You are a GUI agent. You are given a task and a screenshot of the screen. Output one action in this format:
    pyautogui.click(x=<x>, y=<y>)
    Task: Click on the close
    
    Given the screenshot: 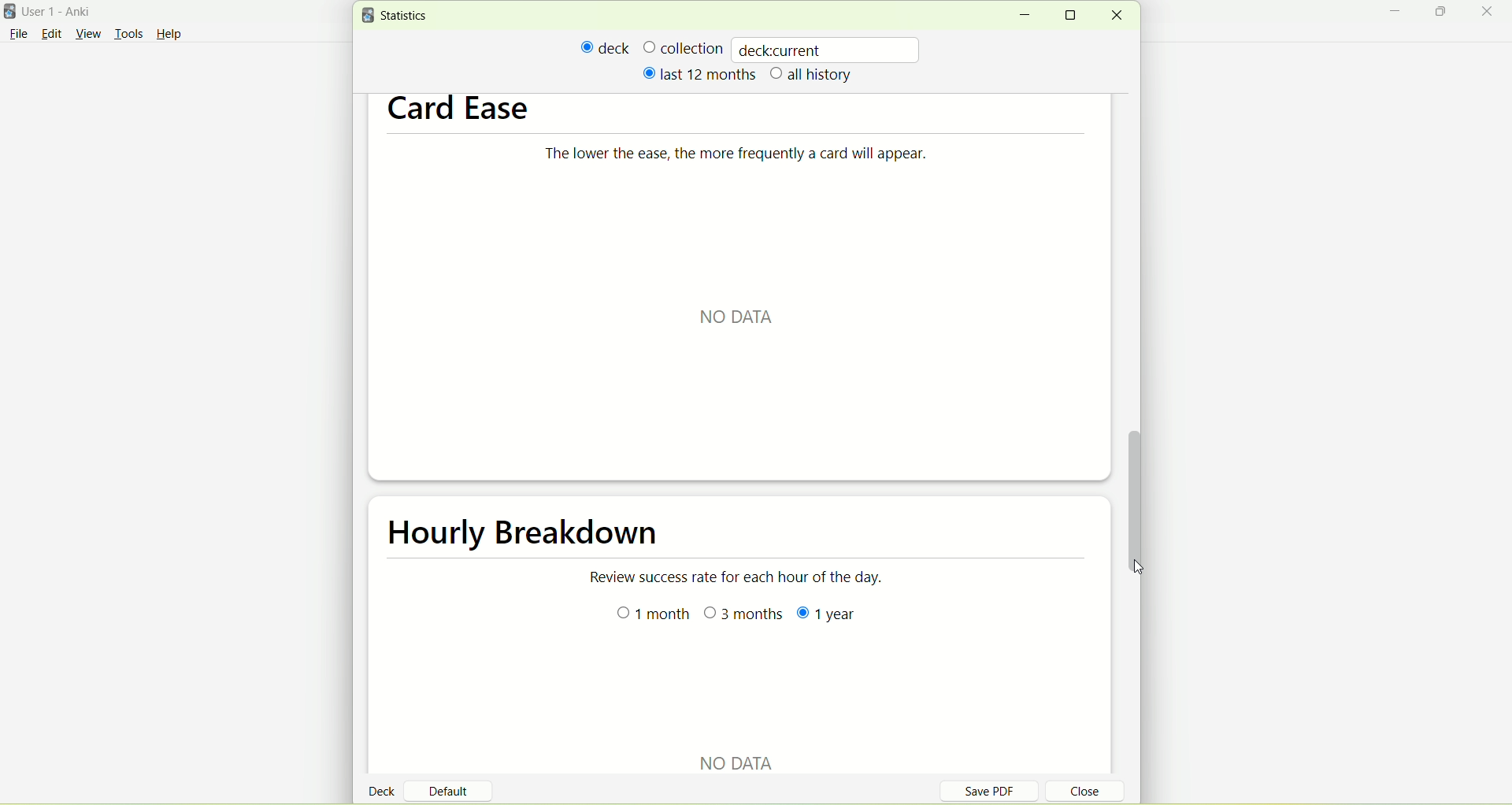 What is the action you would take?
    pyautogui.click(x=1076, y=793)
    